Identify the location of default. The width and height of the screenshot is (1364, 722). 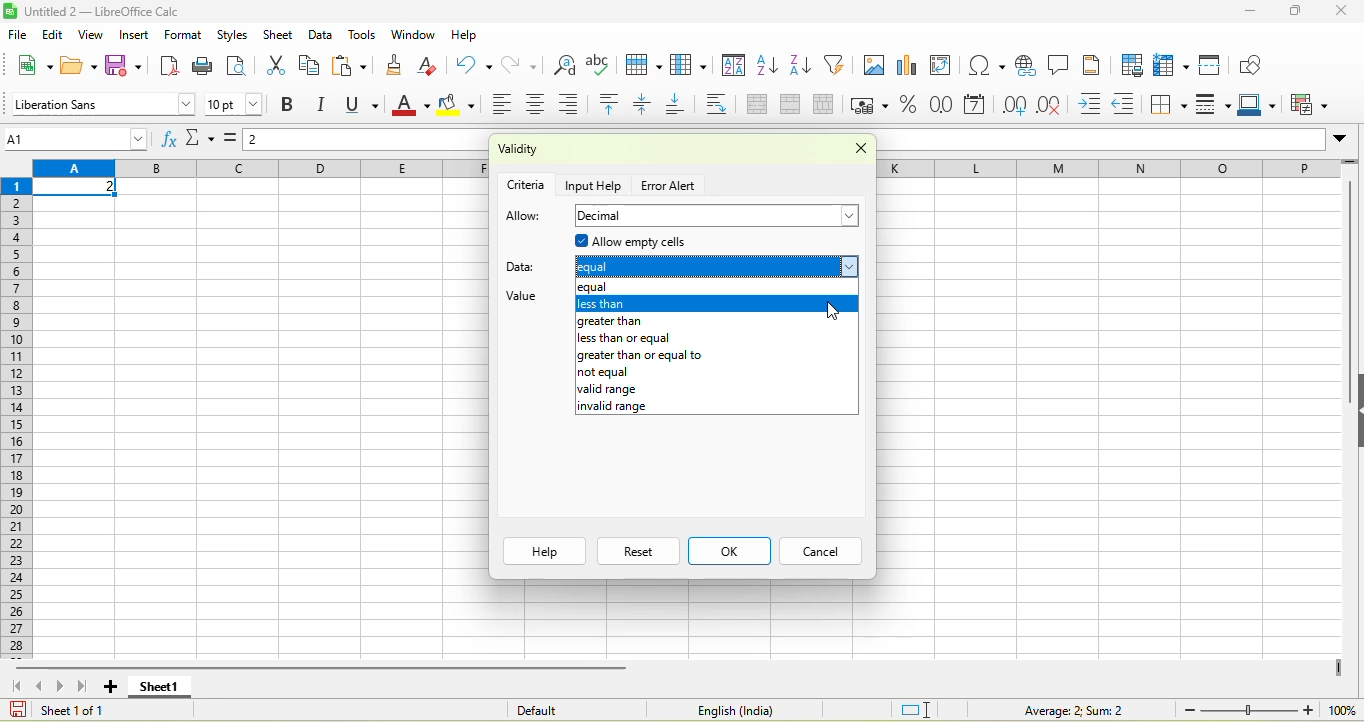
(563, 709).